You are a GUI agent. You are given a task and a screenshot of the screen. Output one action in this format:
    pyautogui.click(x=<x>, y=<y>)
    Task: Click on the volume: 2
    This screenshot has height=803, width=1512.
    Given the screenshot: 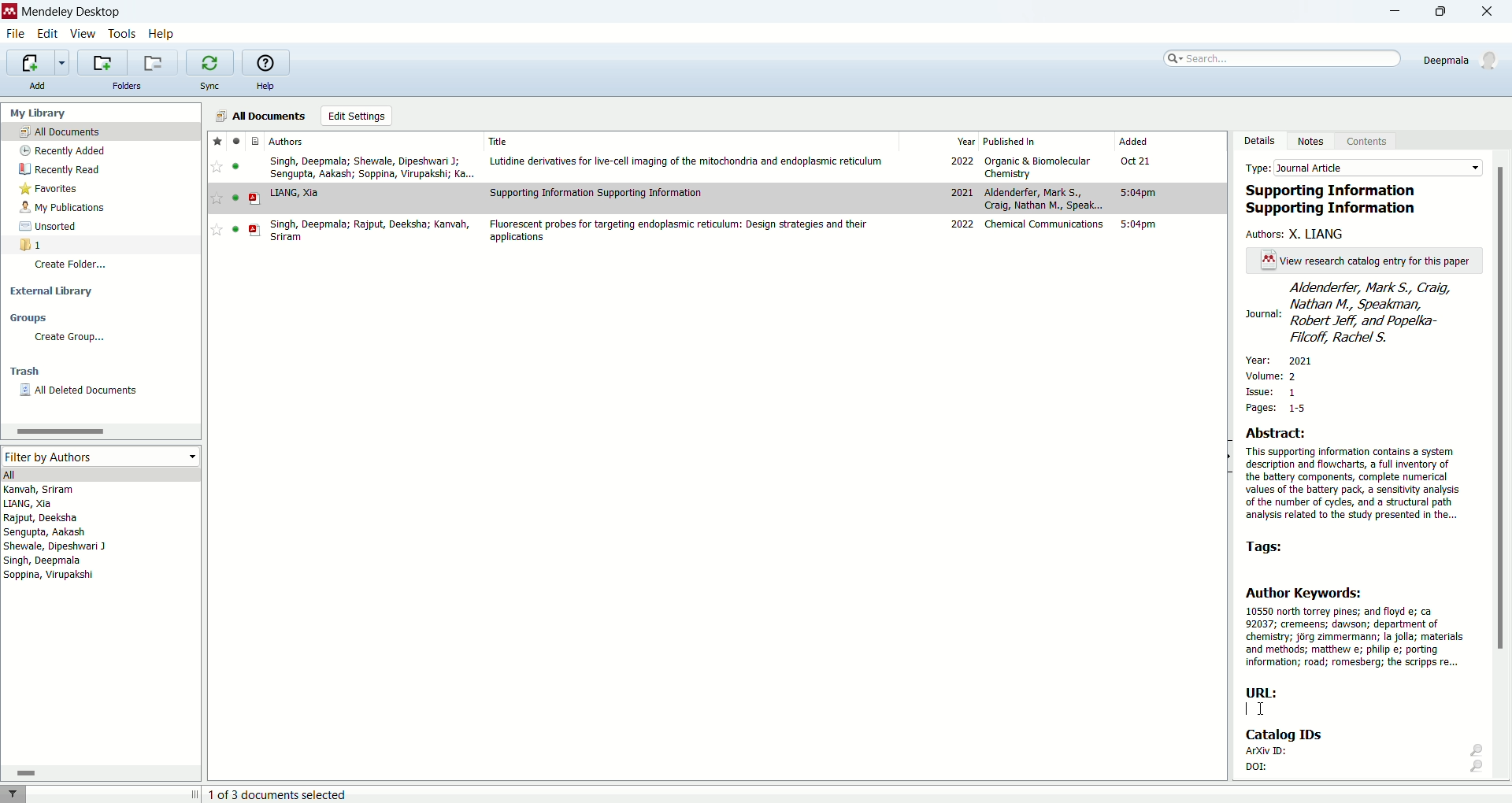 What is the action you would take?
    pyautogui.click(x=1274, y=373)
    